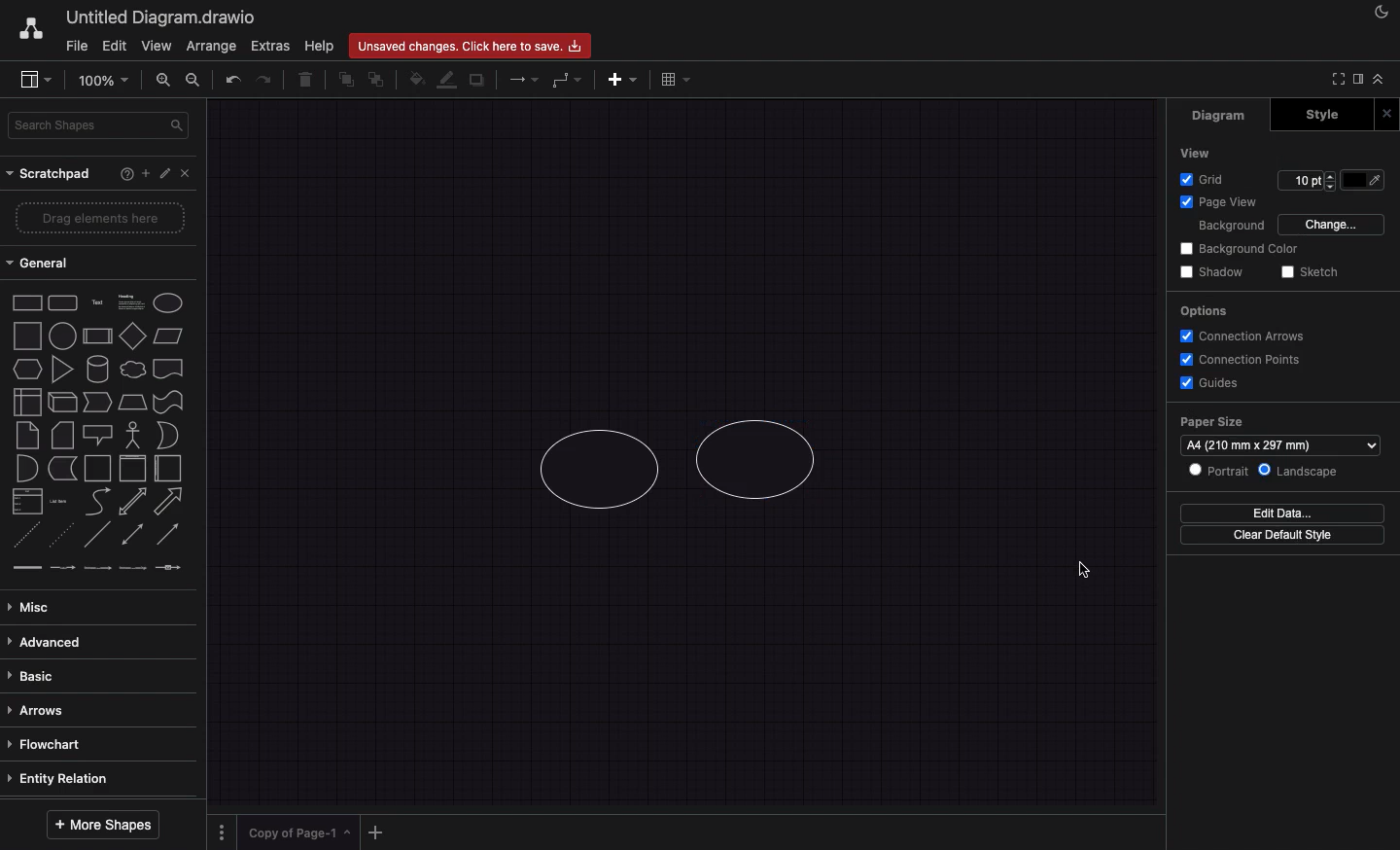 The image size is (1400, 850). Describe the element at coordinates (306, 79) in the screenshot. I see `delete` at that location.